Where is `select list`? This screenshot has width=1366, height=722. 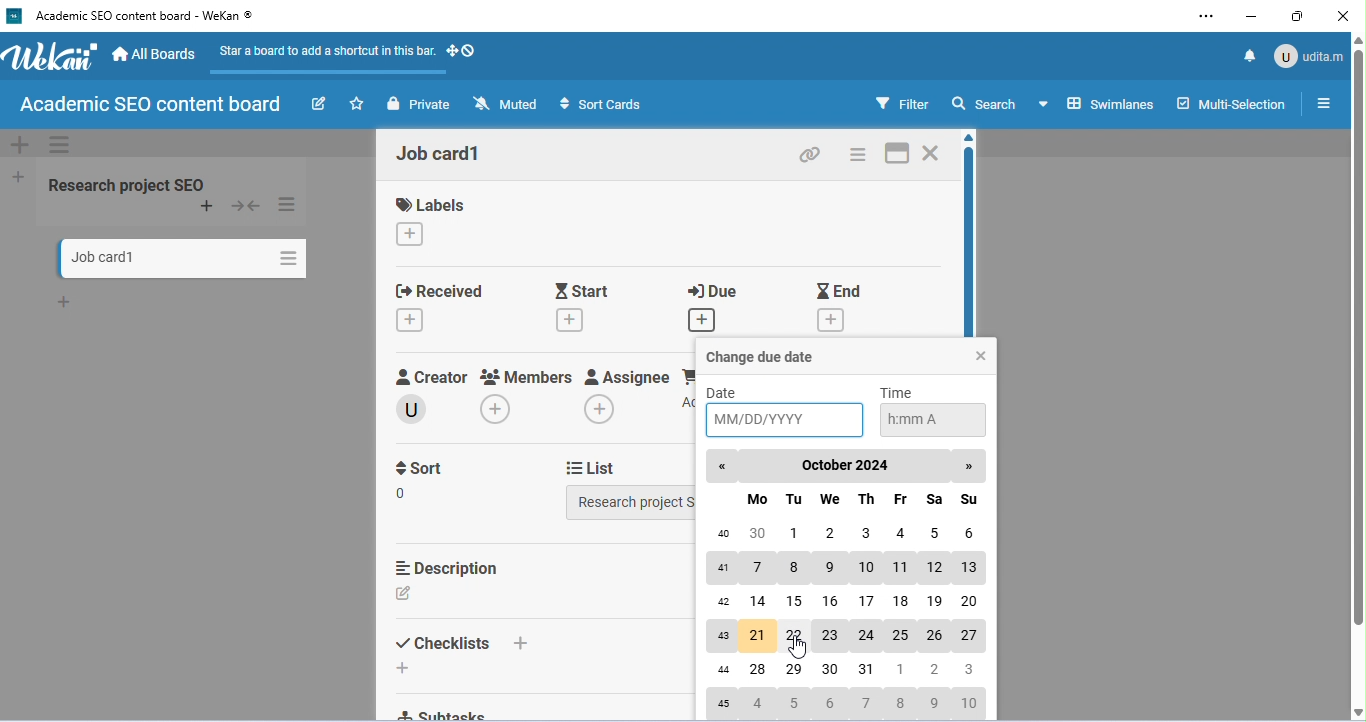 select list is located at coordinates (633, 503).